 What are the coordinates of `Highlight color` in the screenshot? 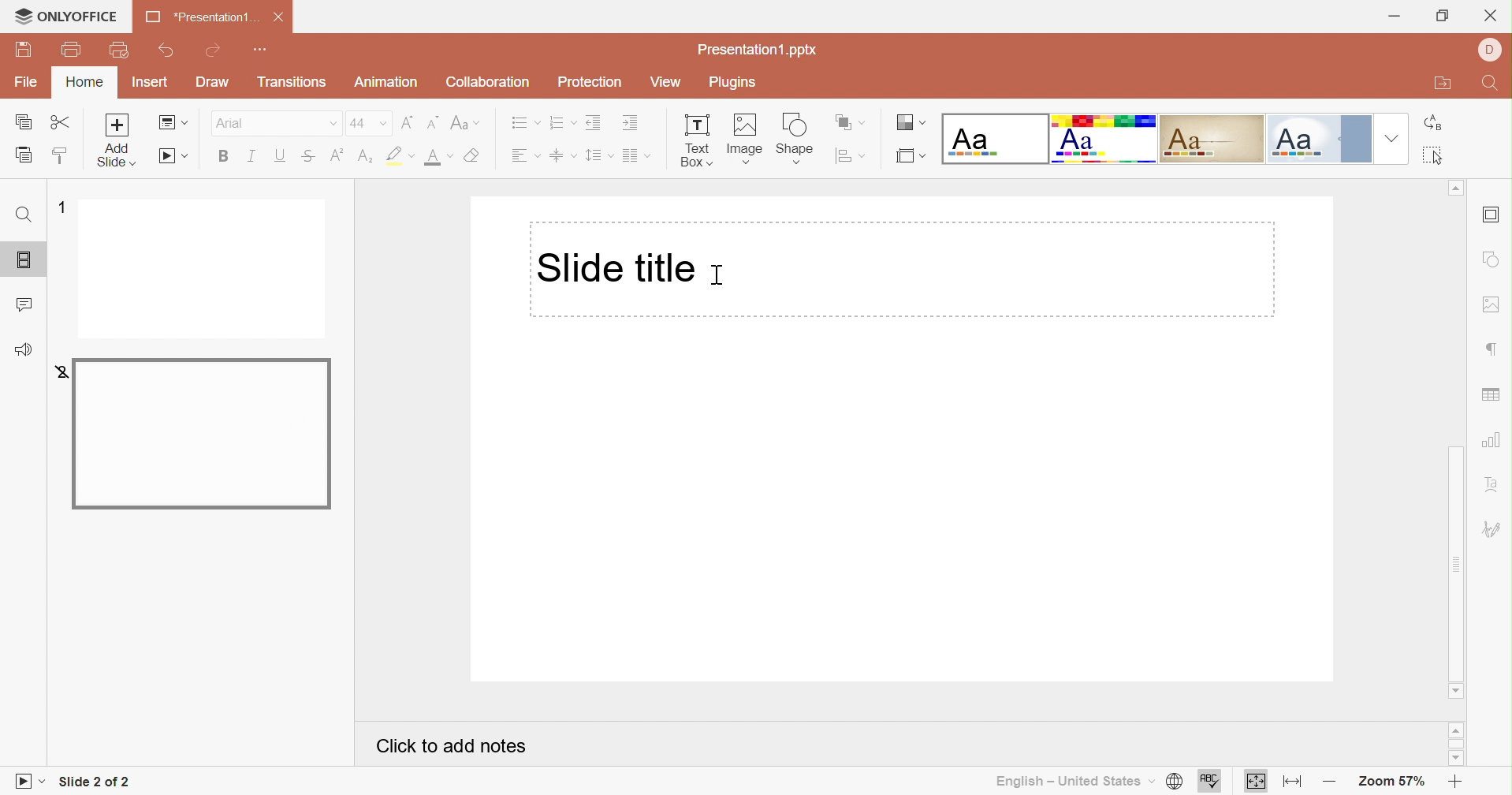 It's located at (402, 154).